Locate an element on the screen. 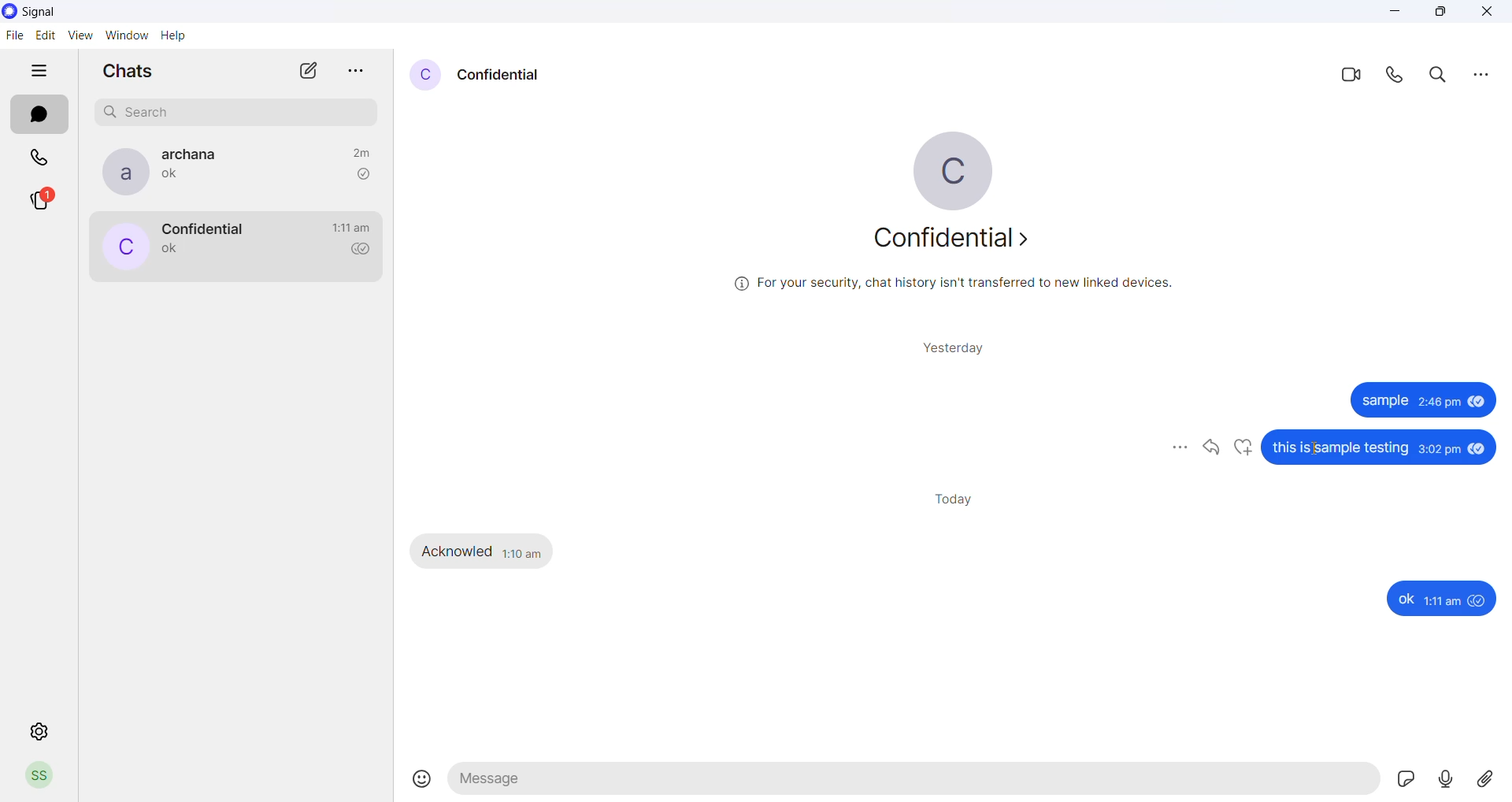 The width and height of the screenshot is (1512, 802). profile picture is located at coordinates (965, 171).